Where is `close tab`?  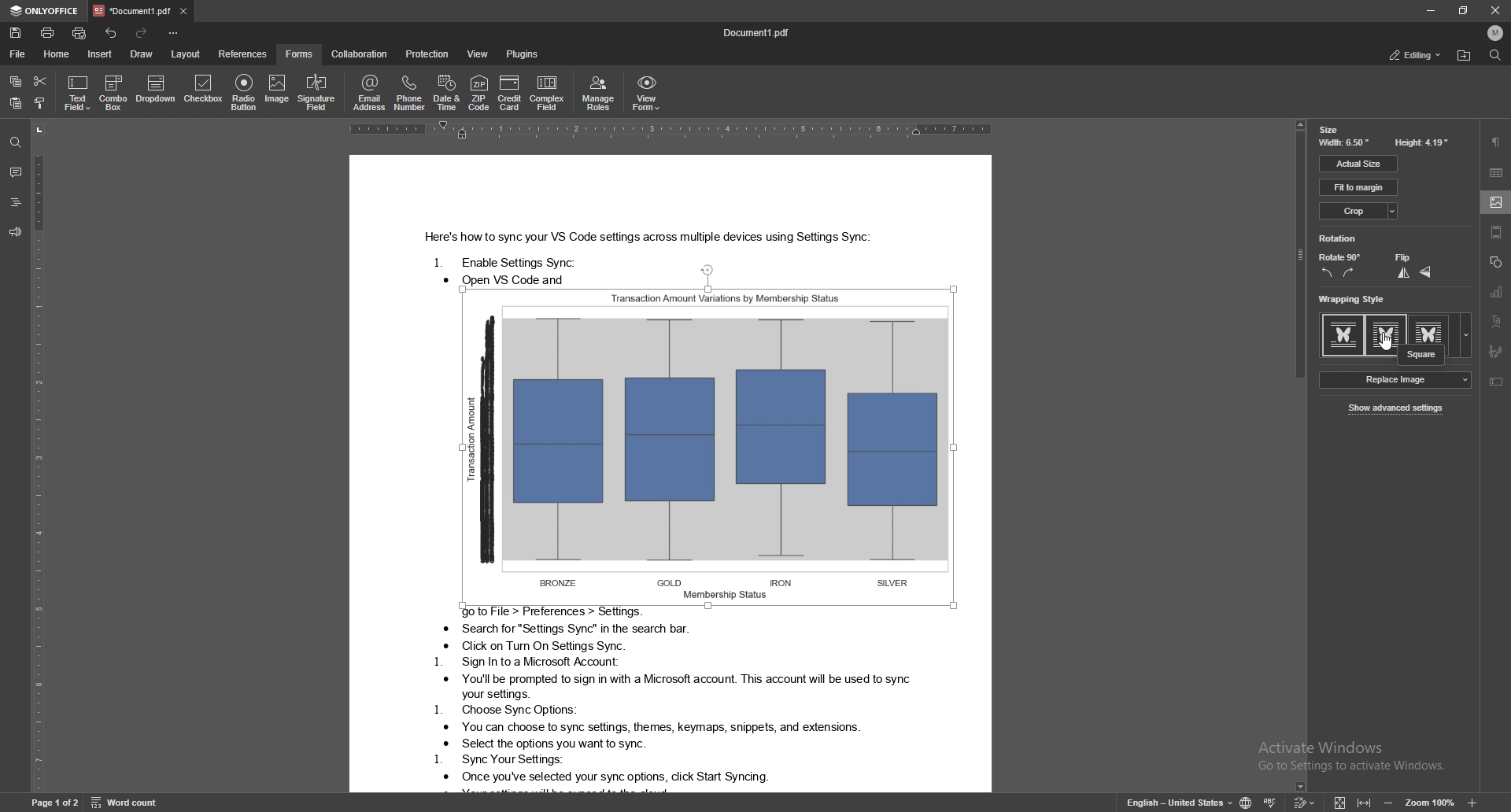 close tab is located at coordinates (184, 10).